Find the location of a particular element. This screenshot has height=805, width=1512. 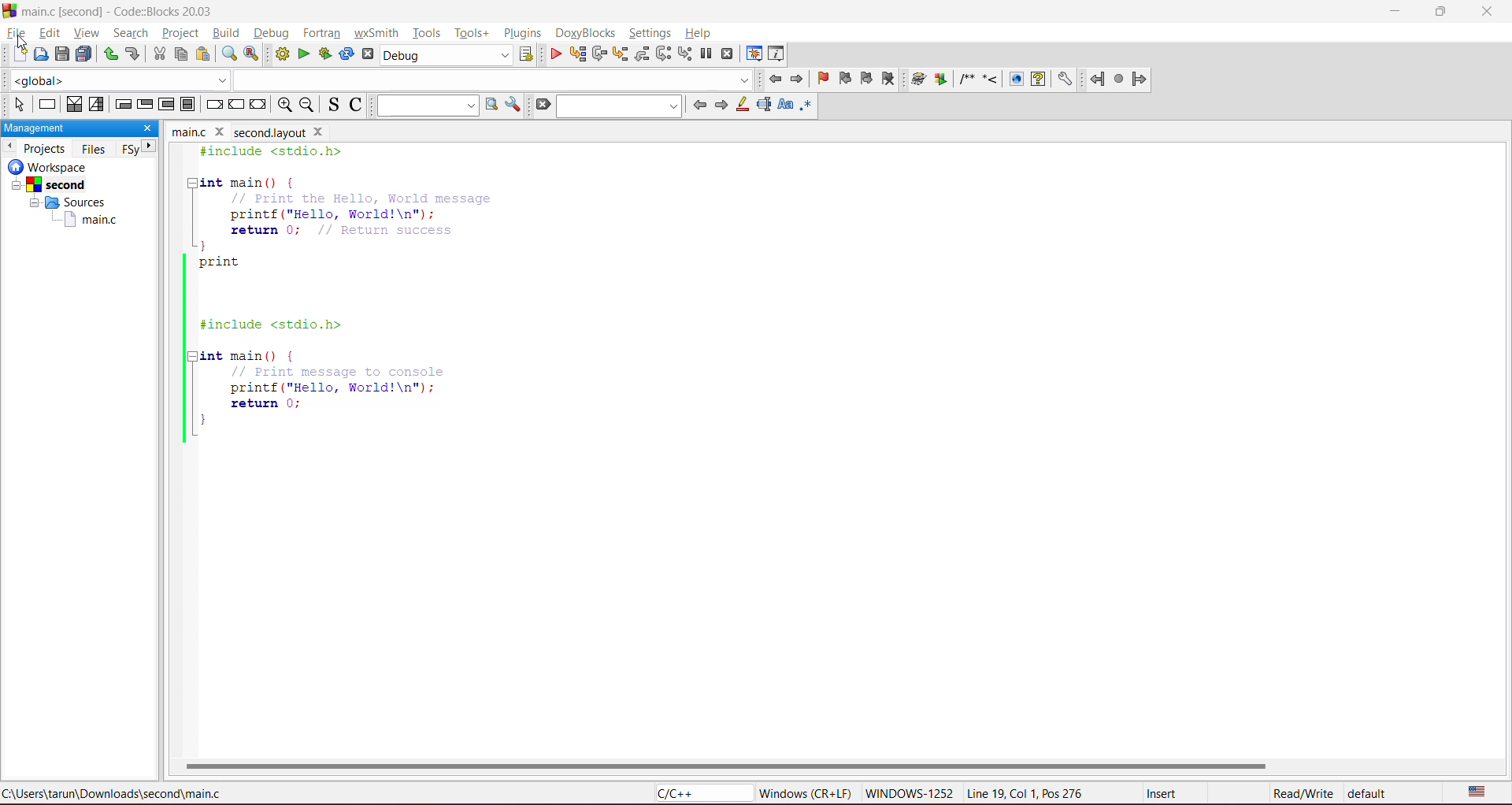

debug is located at coordinates (557, 53).